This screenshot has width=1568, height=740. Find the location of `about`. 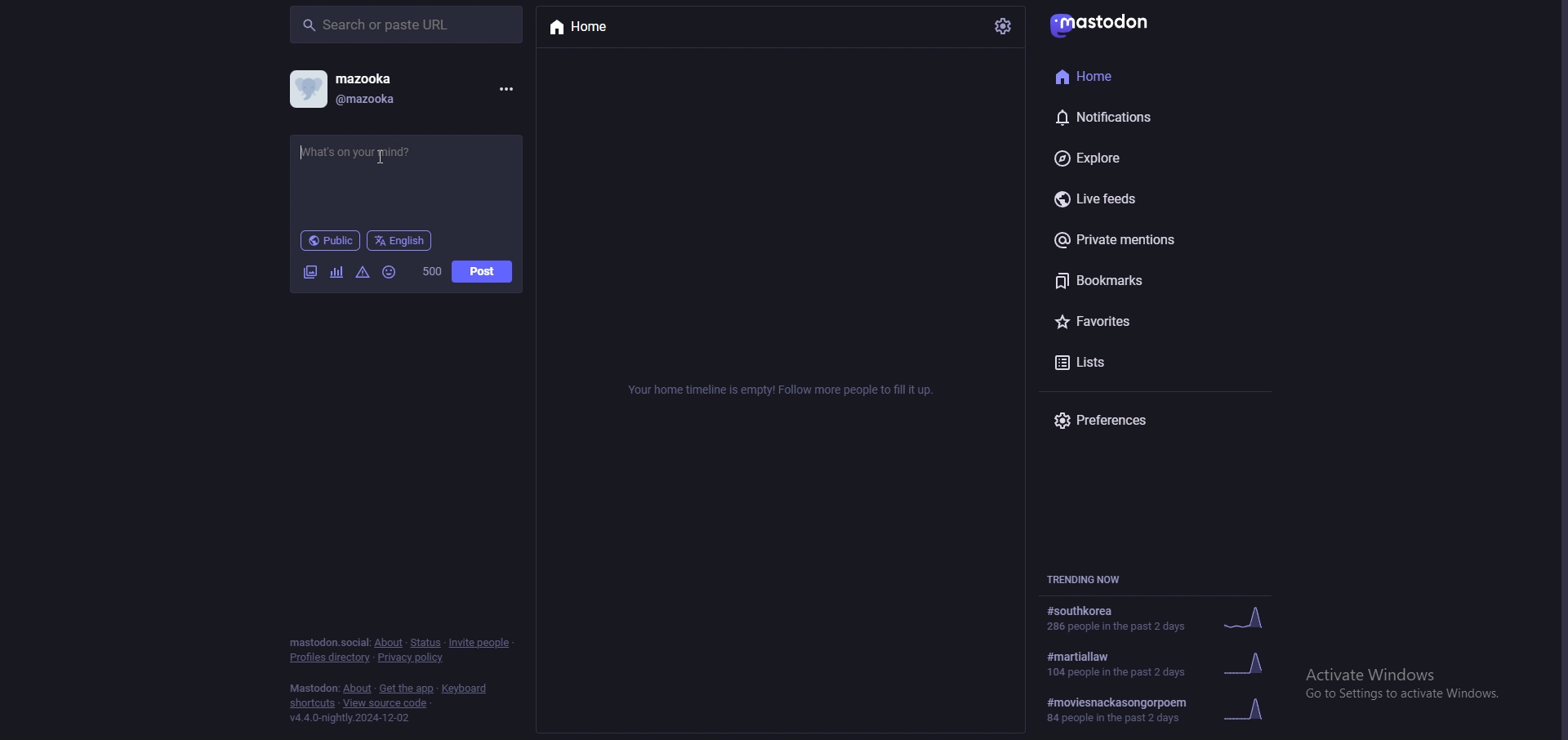

about is located at coordinates (358, 689).